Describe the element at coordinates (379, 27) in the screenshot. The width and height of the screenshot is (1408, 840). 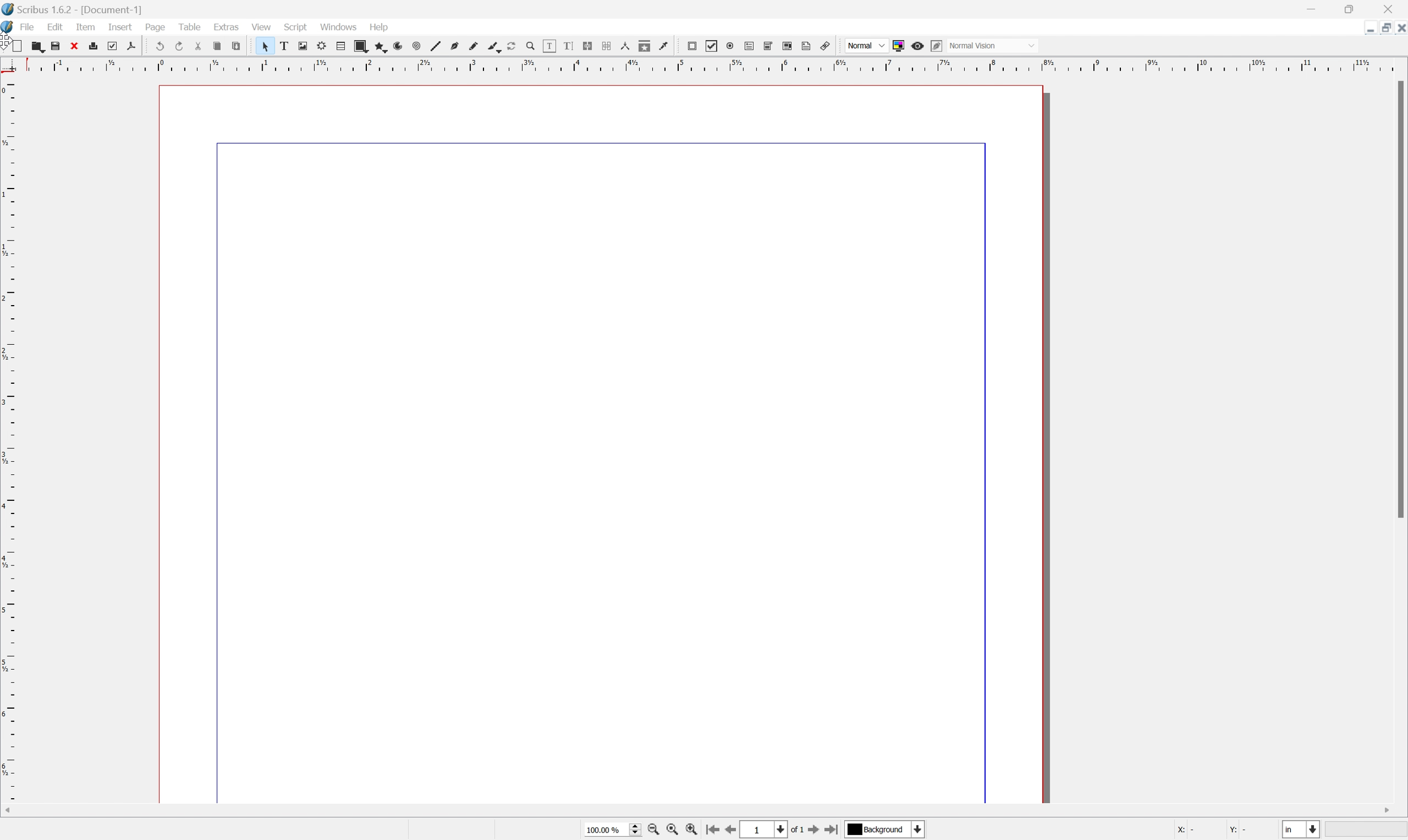
I see `Help` at that location.